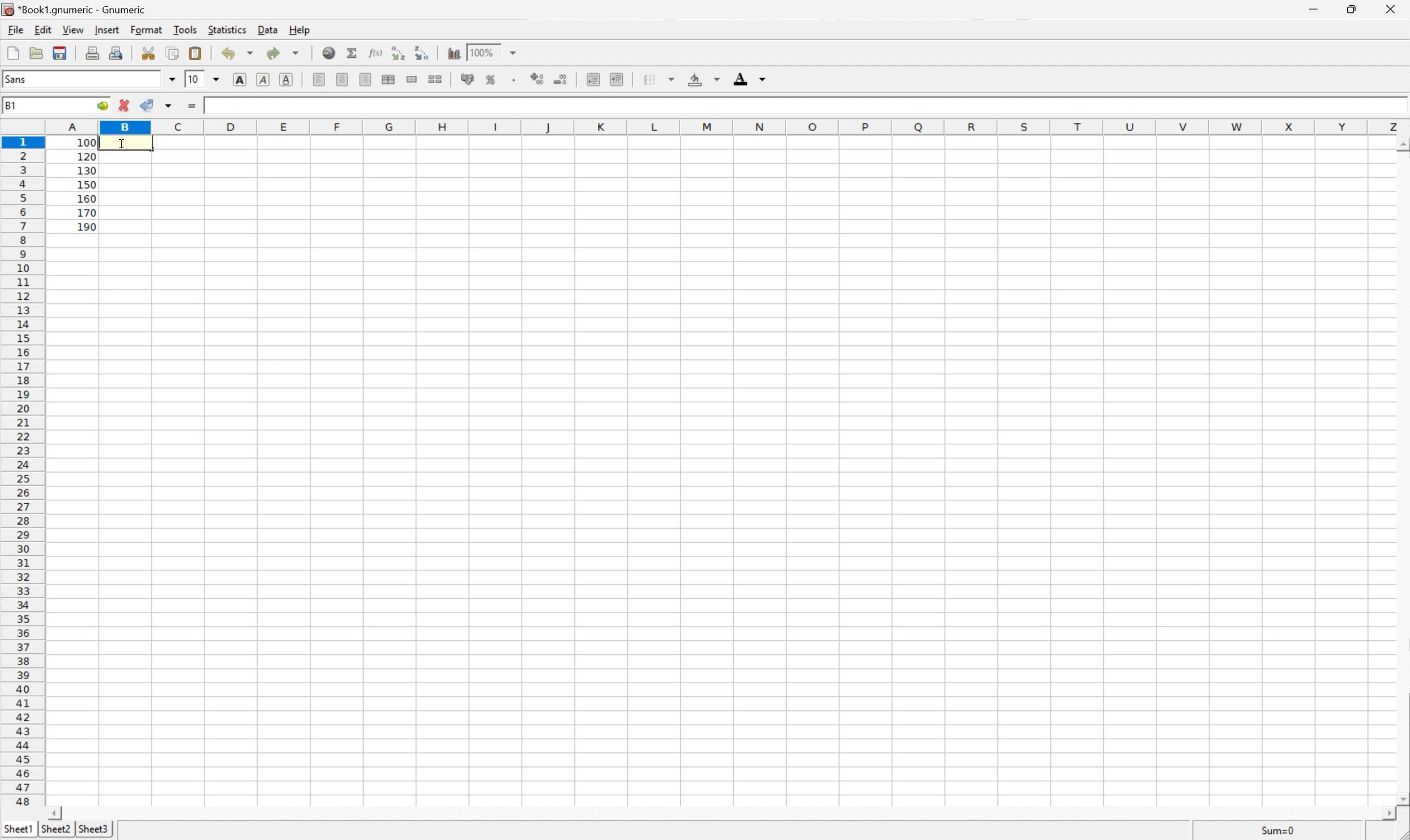 The height and width of the screenshot is (840, 1410). I want to click on 10, so click(196, 78).